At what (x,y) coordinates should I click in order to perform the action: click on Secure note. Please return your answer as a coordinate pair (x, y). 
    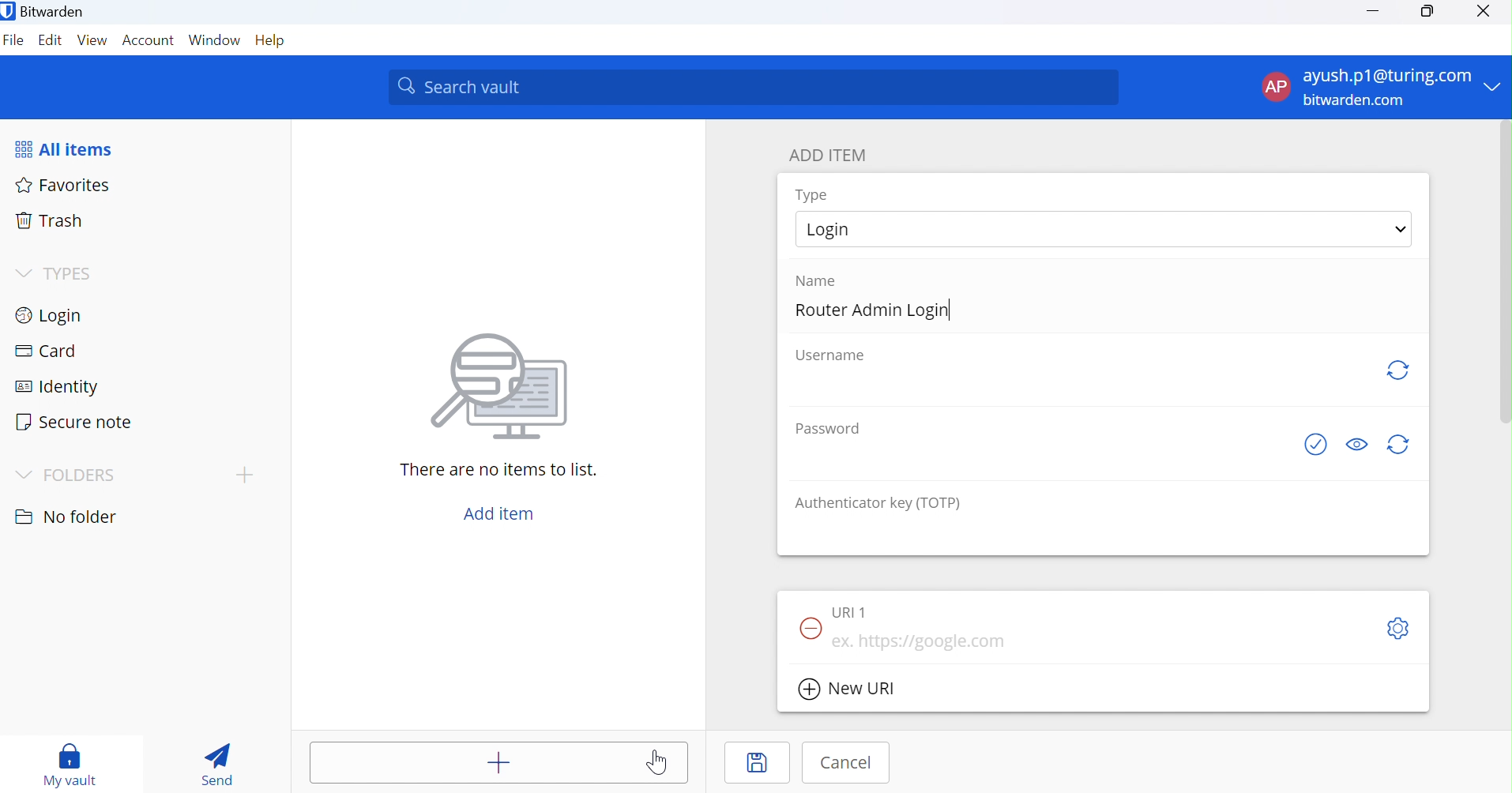
    Looking at the image, I should click on (77, 421).